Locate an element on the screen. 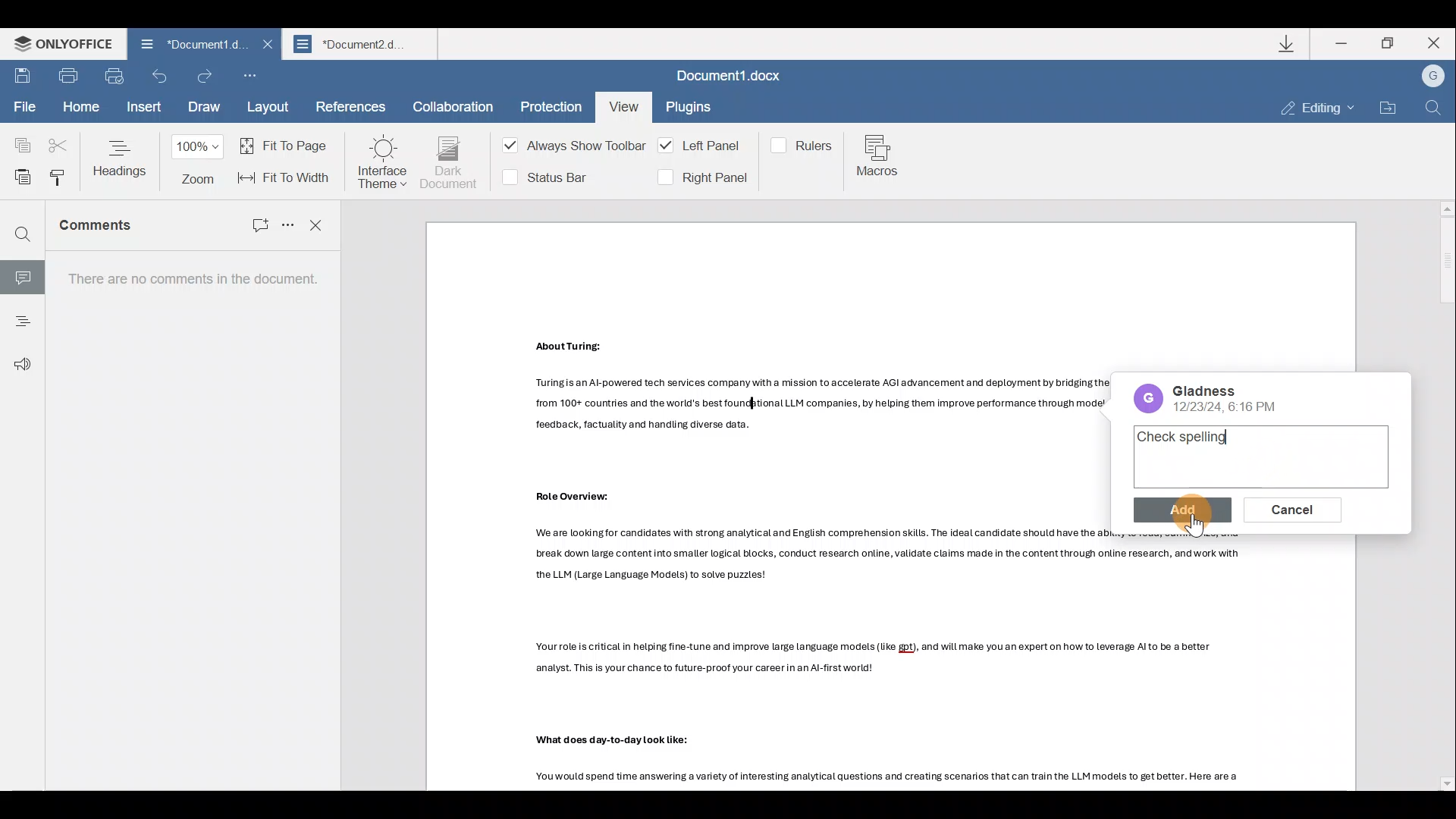 This screenshot has height=819, width=1456. Fit to width is located at coordinates (286, 177).